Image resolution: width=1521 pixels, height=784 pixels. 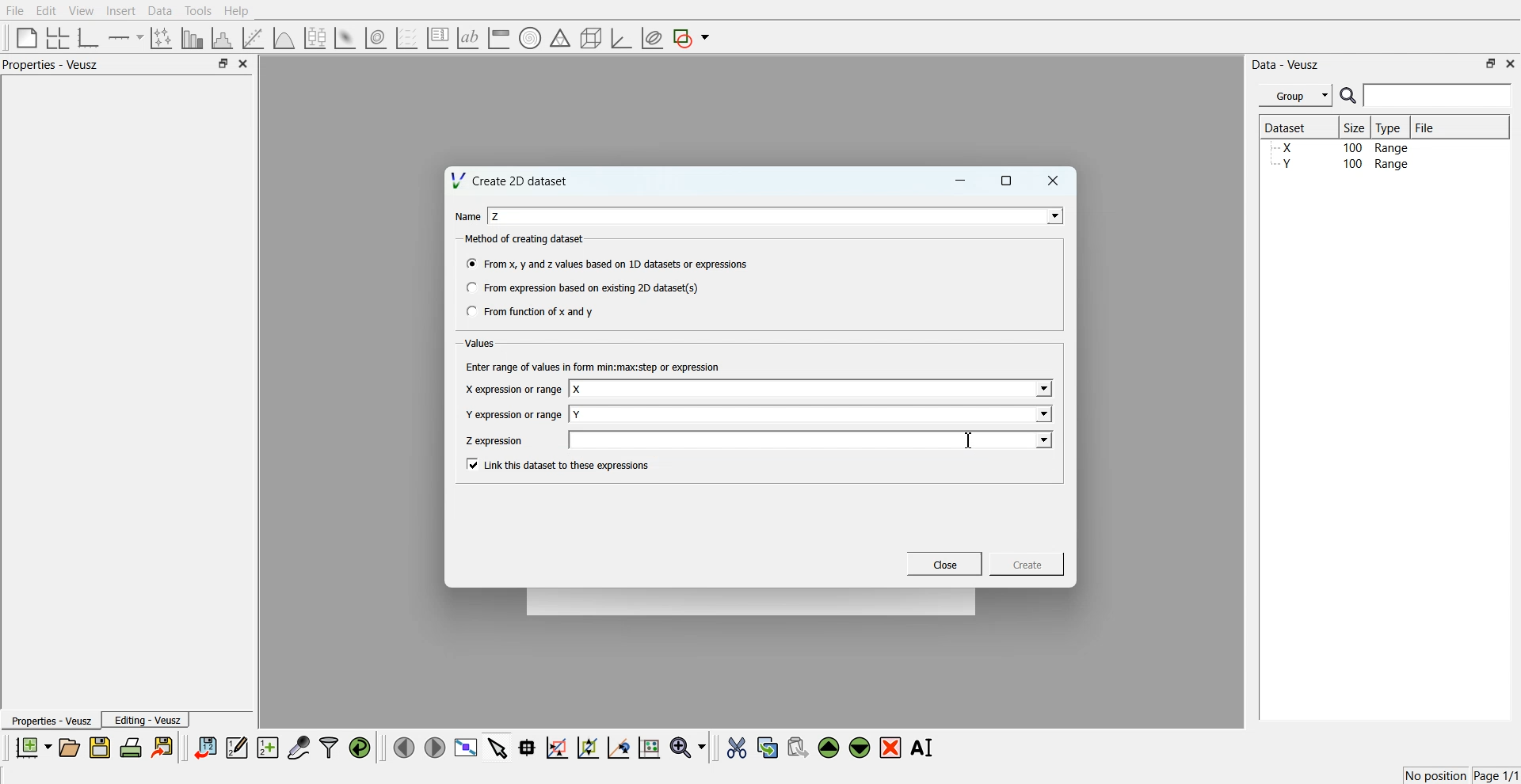 I want to click on Reload linked dataset, so click(x=360, y=748).